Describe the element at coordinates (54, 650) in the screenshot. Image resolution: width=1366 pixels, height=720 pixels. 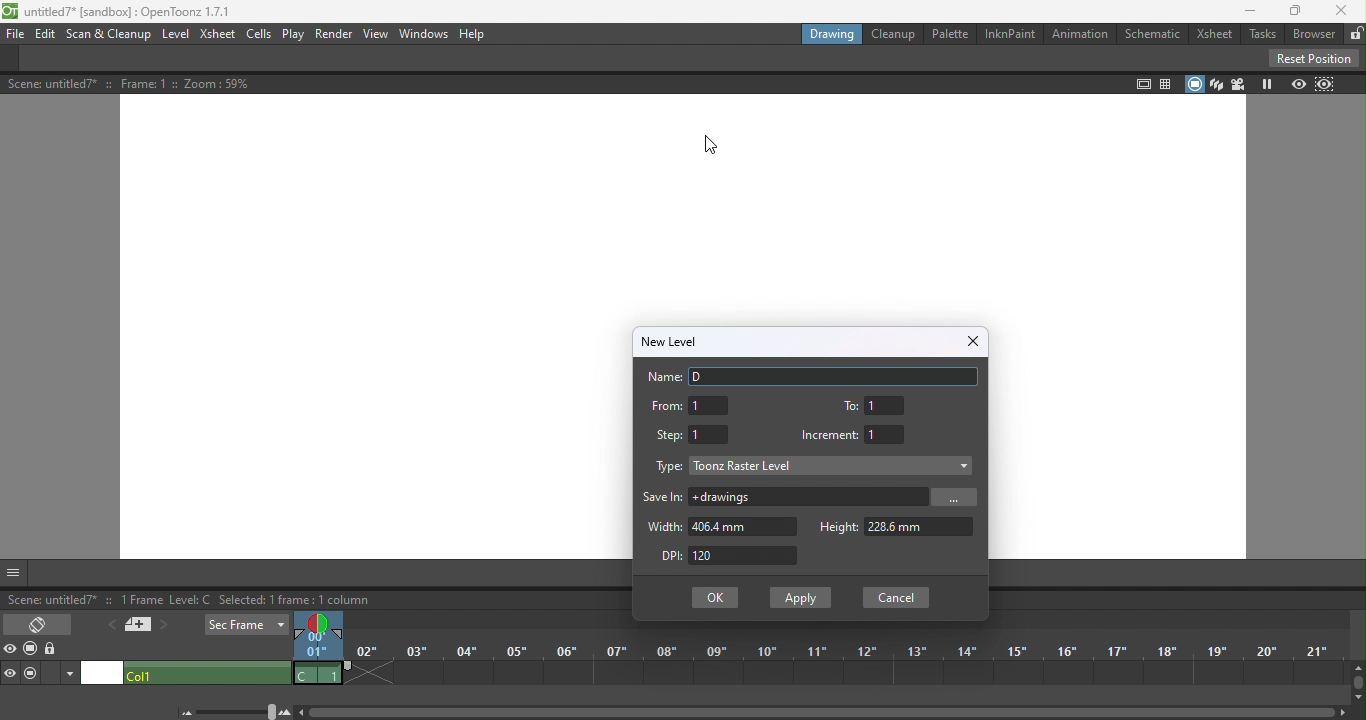
I see `Lock toggle all` at that location.